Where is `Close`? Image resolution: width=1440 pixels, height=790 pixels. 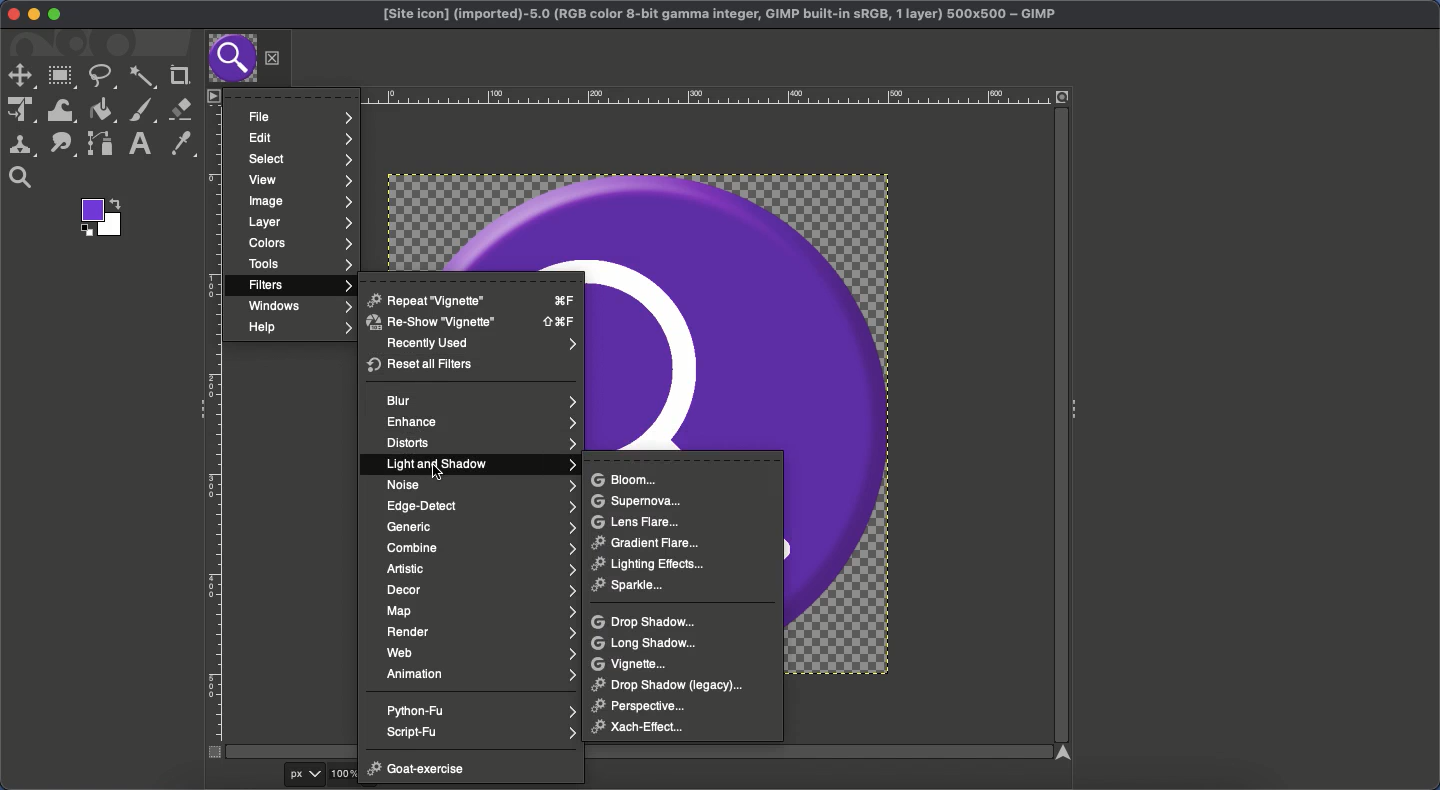 Close is located at coordinates (9, 14).